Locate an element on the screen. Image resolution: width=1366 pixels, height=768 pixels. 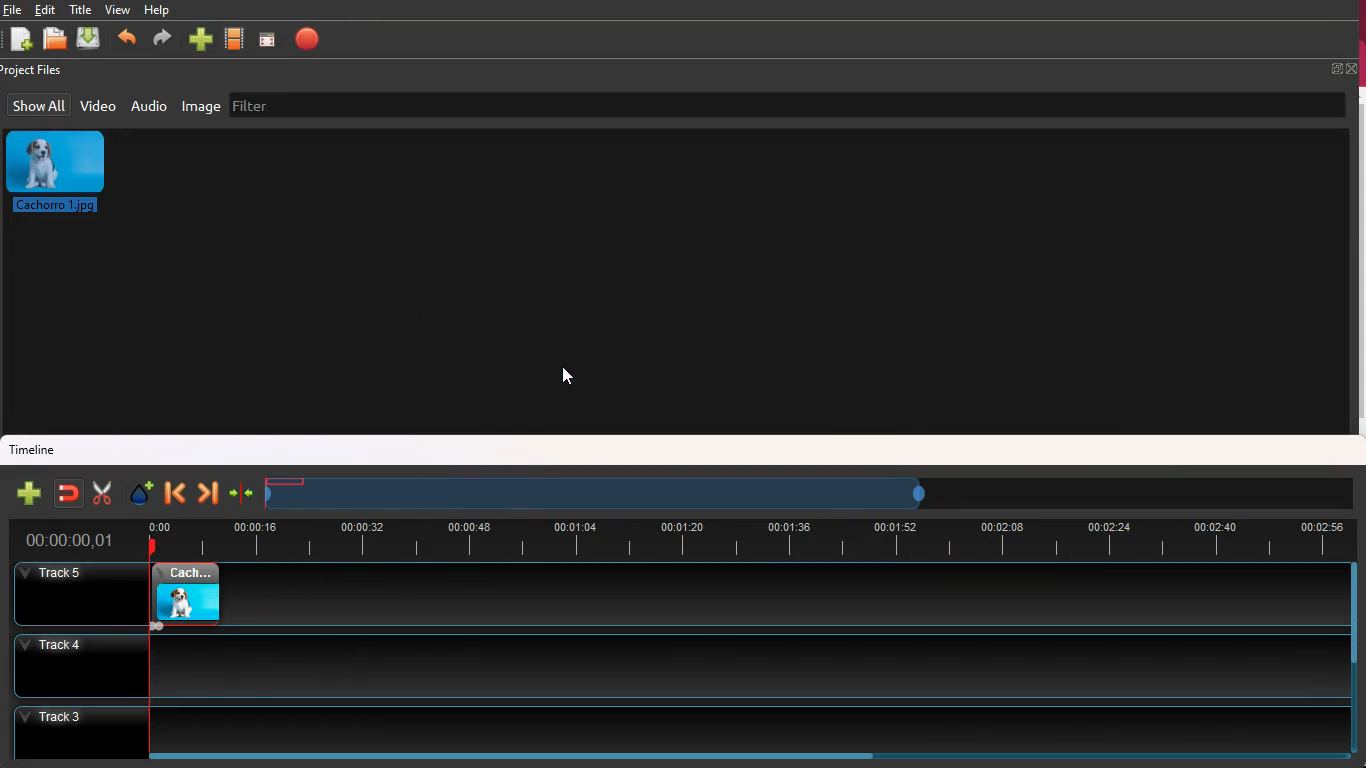
image is located at coordinates (60, 174).